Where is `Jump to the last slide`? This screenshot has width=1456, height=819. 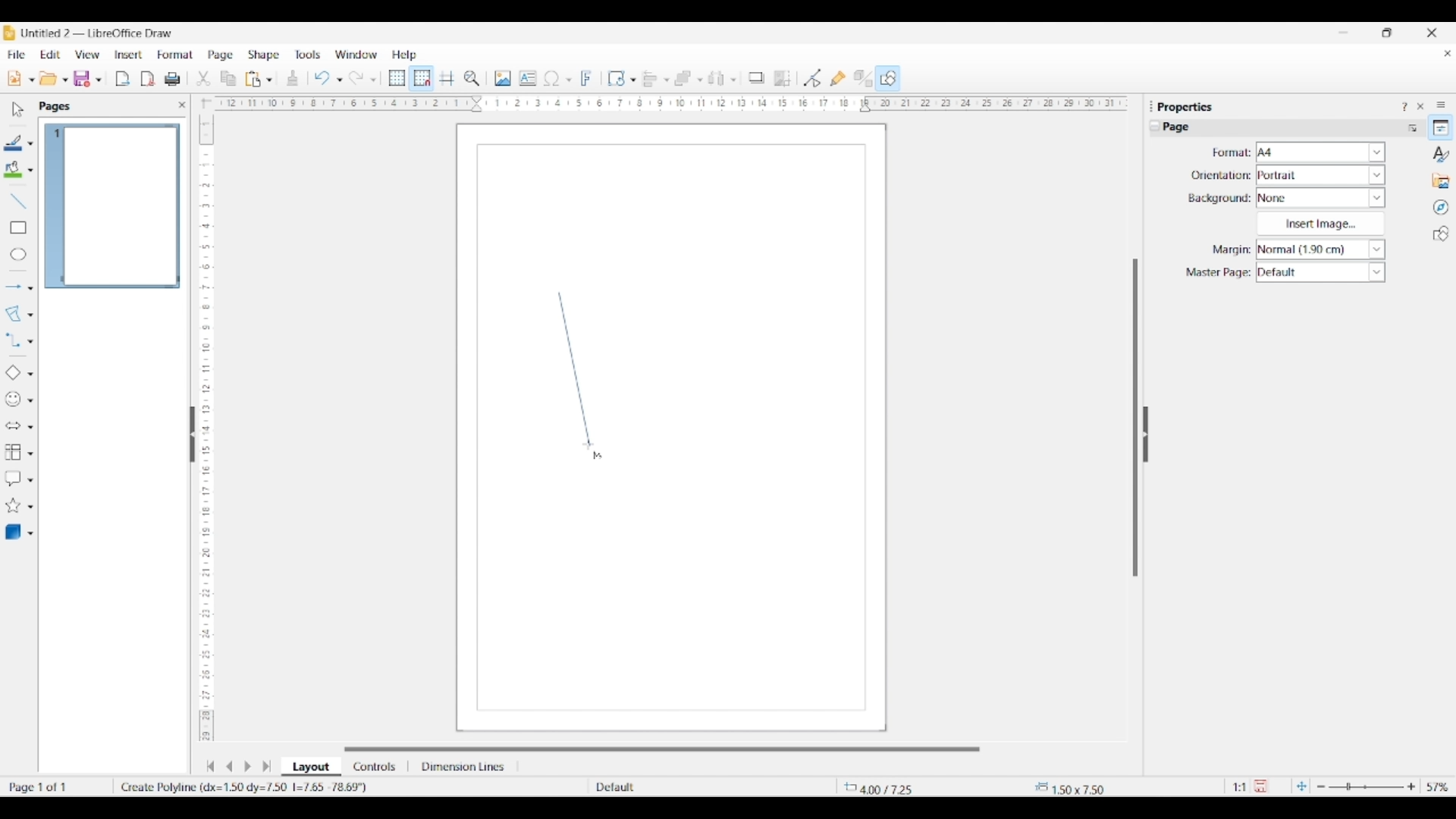 Jump to the last slide is located at coordinates (267, 766).